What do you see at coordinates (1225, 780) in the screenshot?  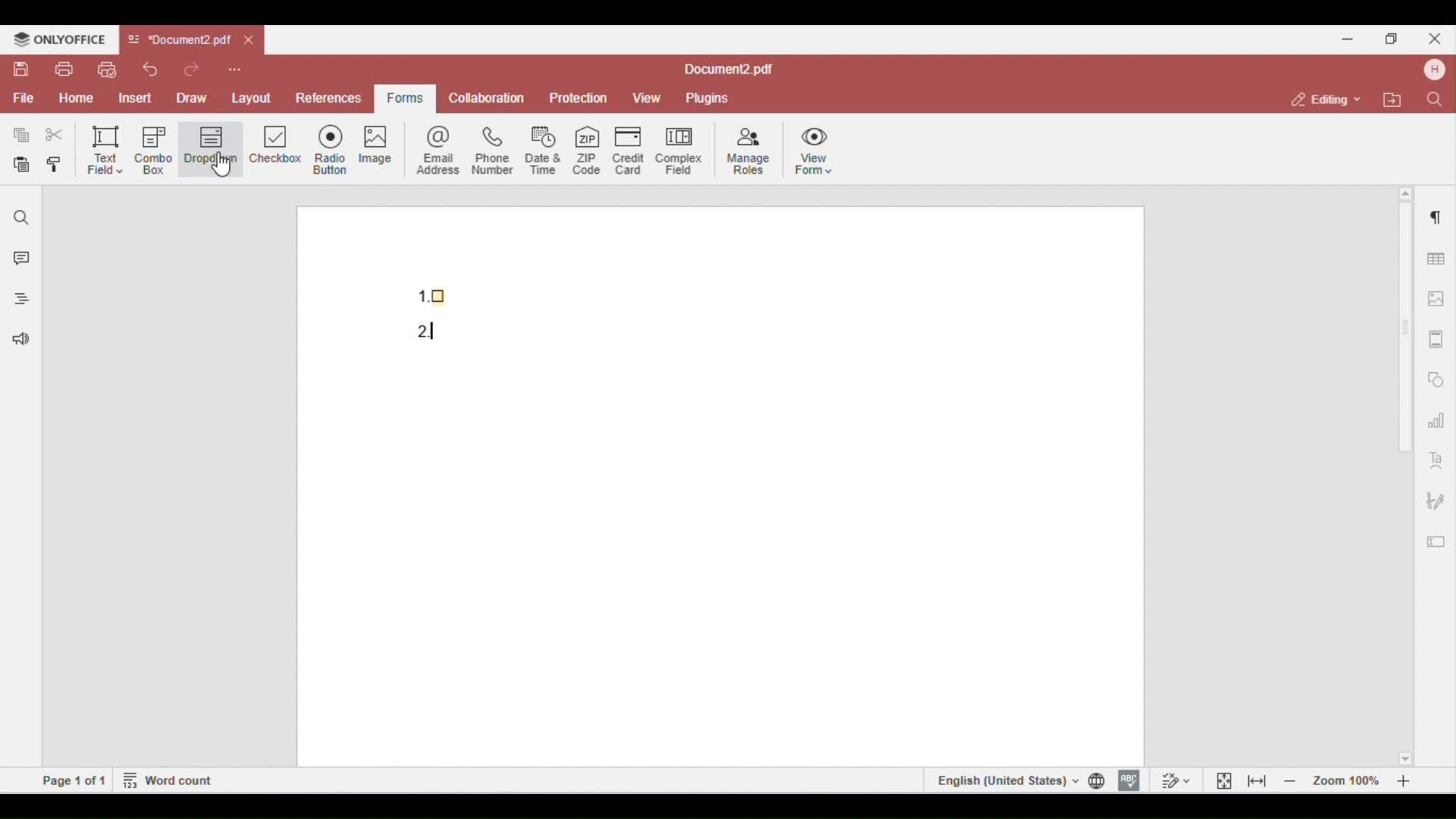 I see `fit to page` at bounding box center [1225, 780].